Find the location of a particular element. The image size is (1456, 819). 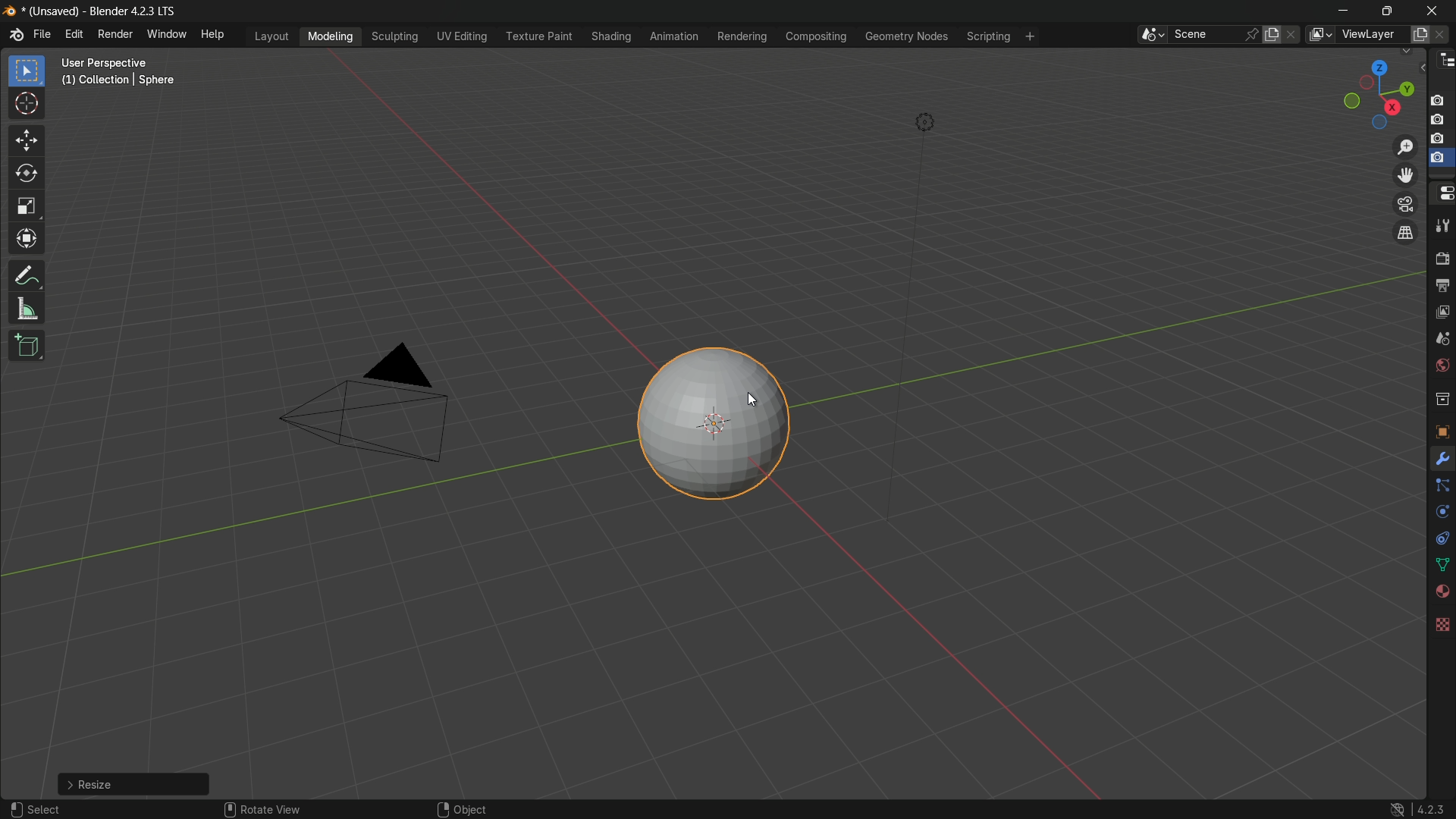

sculpting menu is located at coordinates (396, 37).